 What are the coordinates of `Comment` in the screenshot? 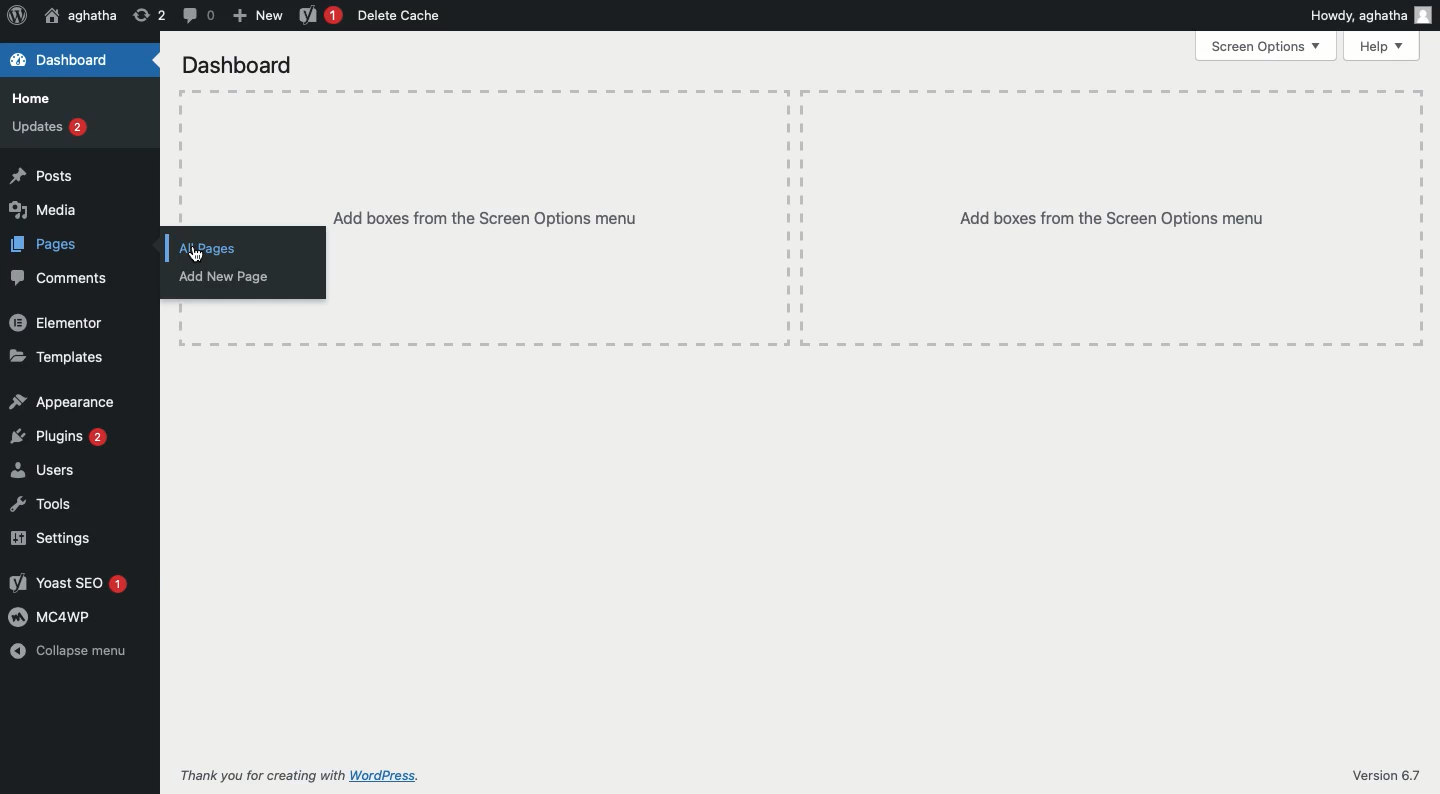 It's located at (199, 16).